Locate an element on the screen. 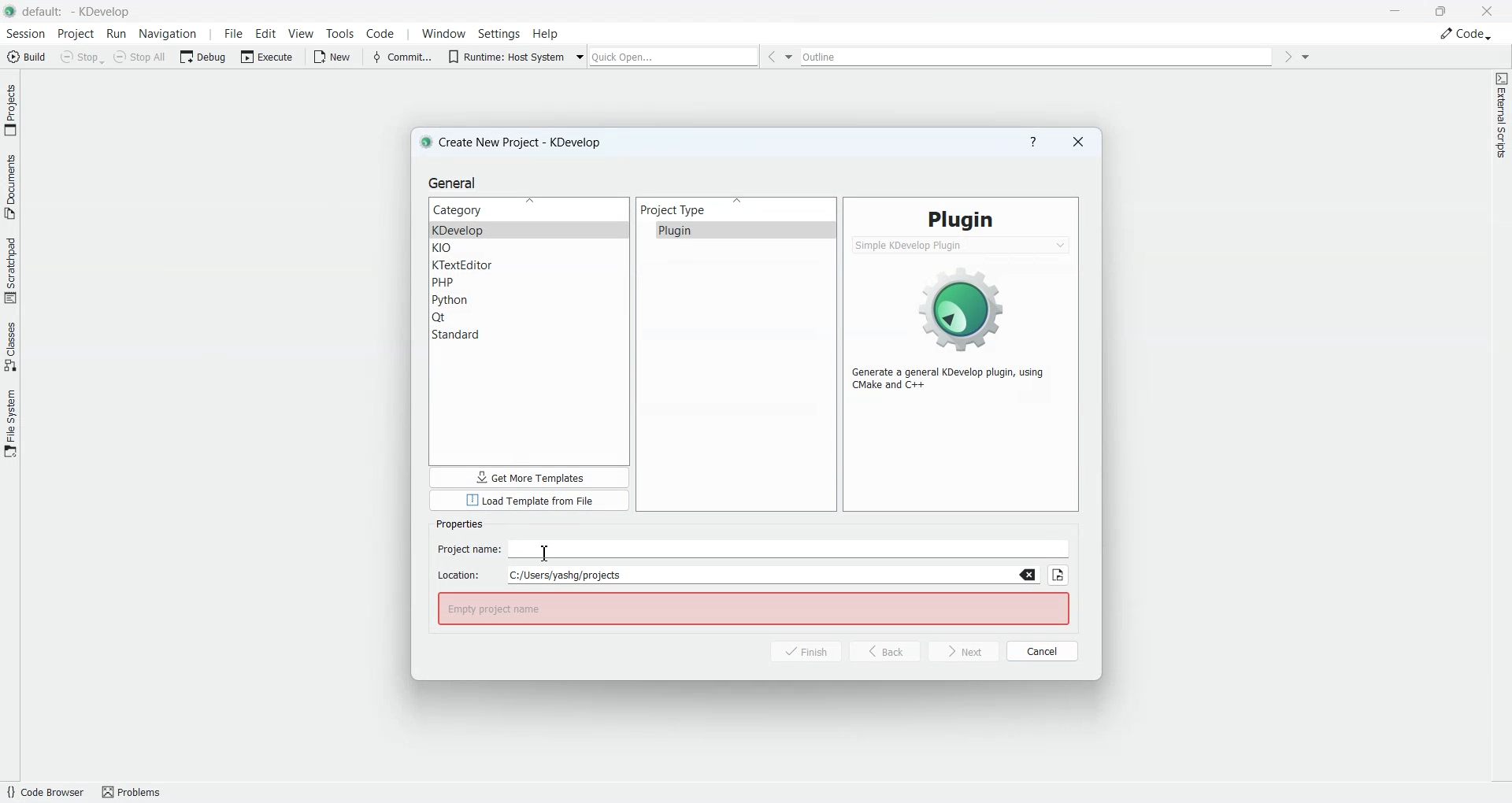 The height and width of the screenshot is (803, 1512). Open file dialogue is located at coordinates (1058, 575).